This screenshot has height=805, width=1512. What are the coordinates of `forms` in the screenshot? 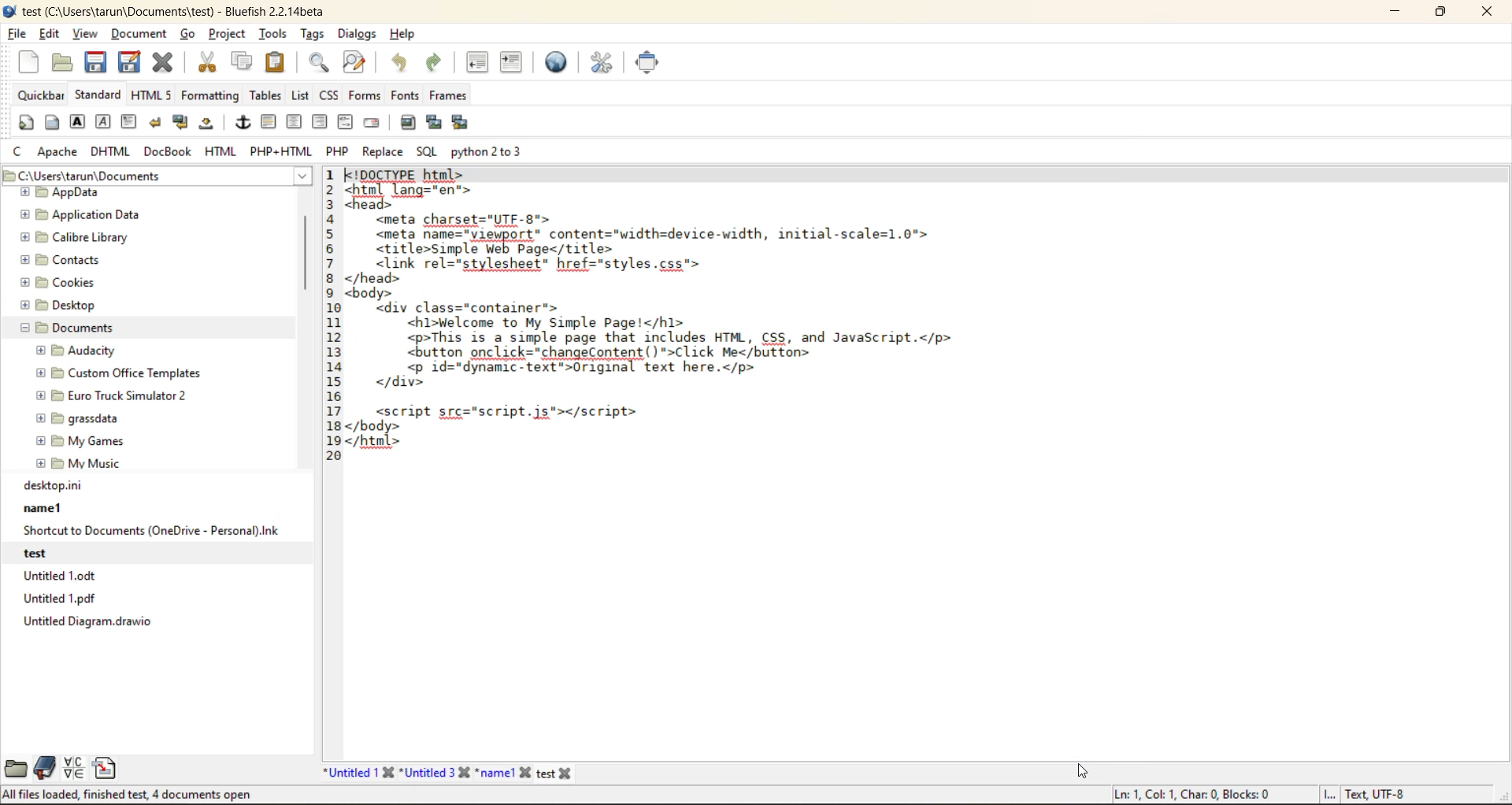 It's located at (362, 95).